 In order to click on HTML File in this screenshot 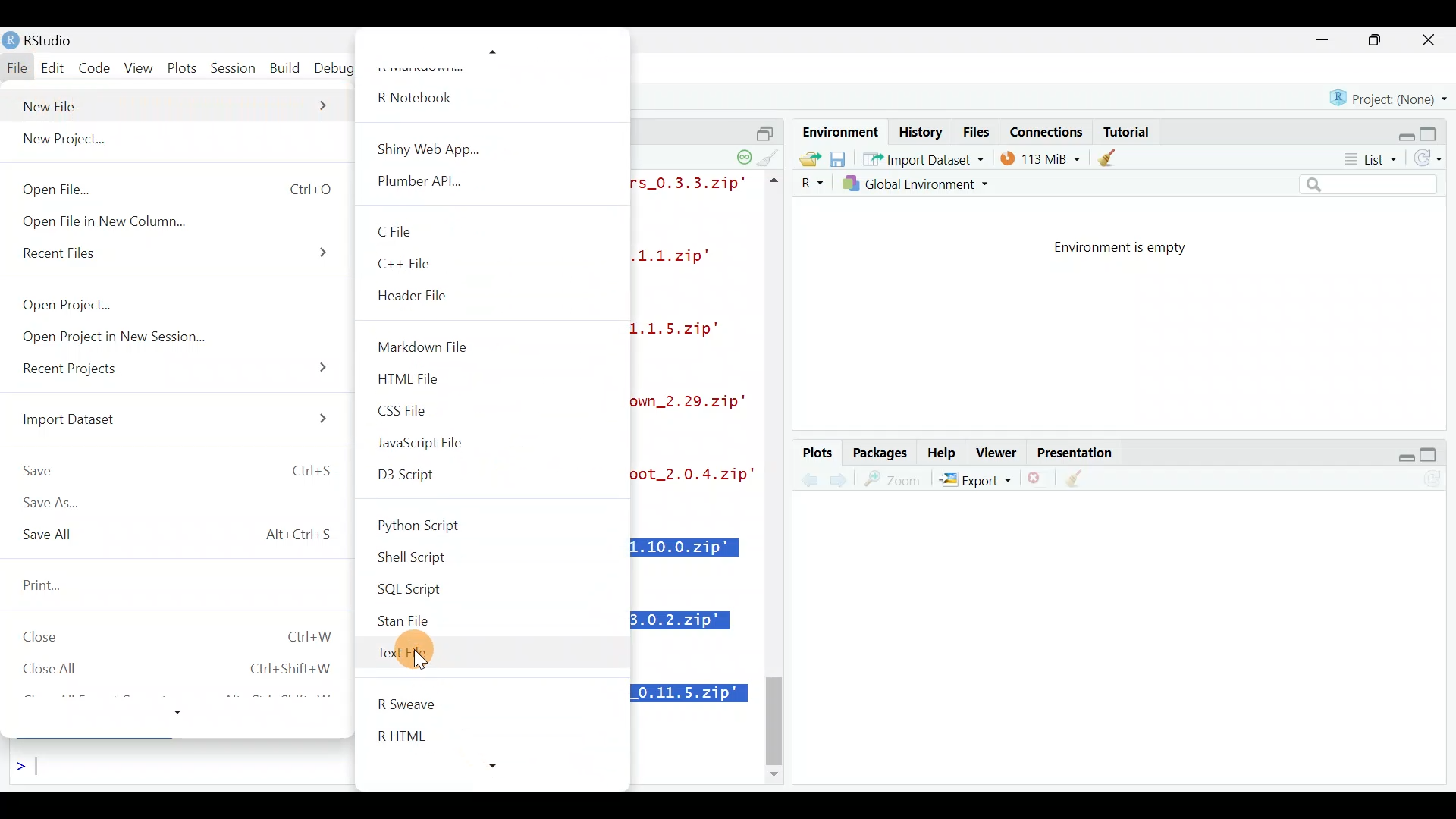, I will do `click(419, 379)`.